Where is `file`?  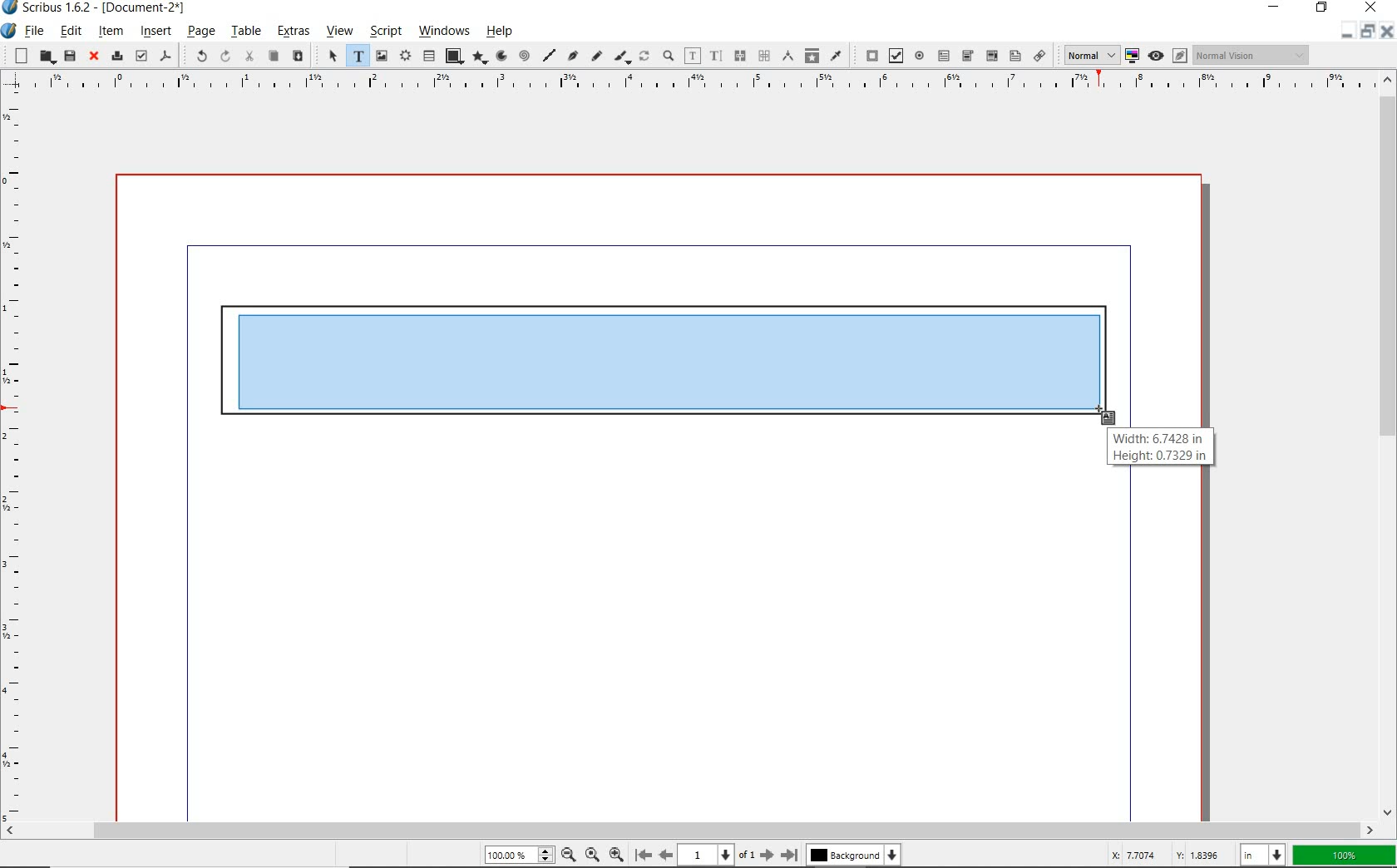 file is located at coordinates (35, 31).